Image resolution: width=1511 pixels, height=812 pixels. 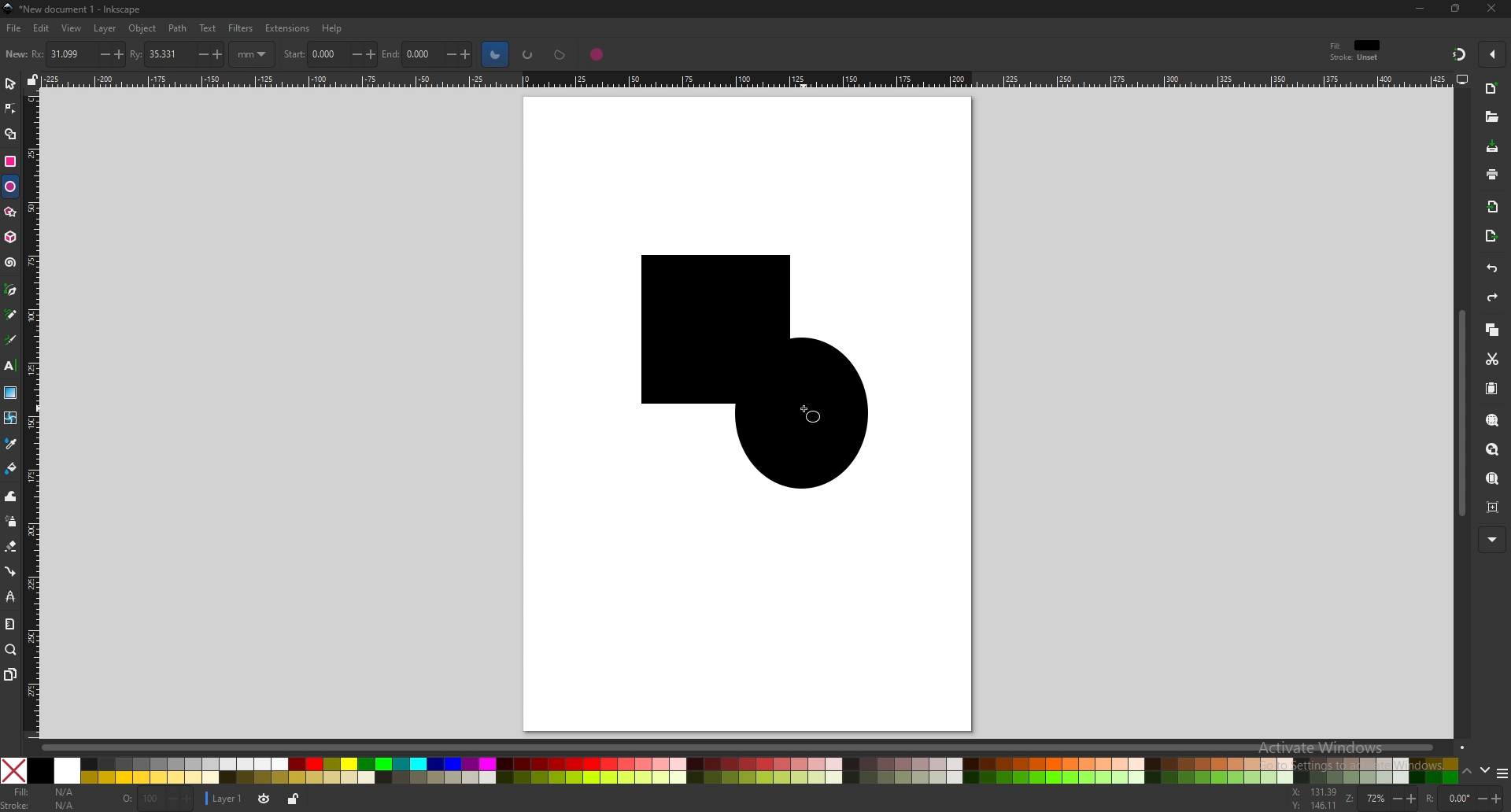 What do you see at coordinates (1492, 117) in the screenshot?
I see `open` at bounding box center [1492, 117].